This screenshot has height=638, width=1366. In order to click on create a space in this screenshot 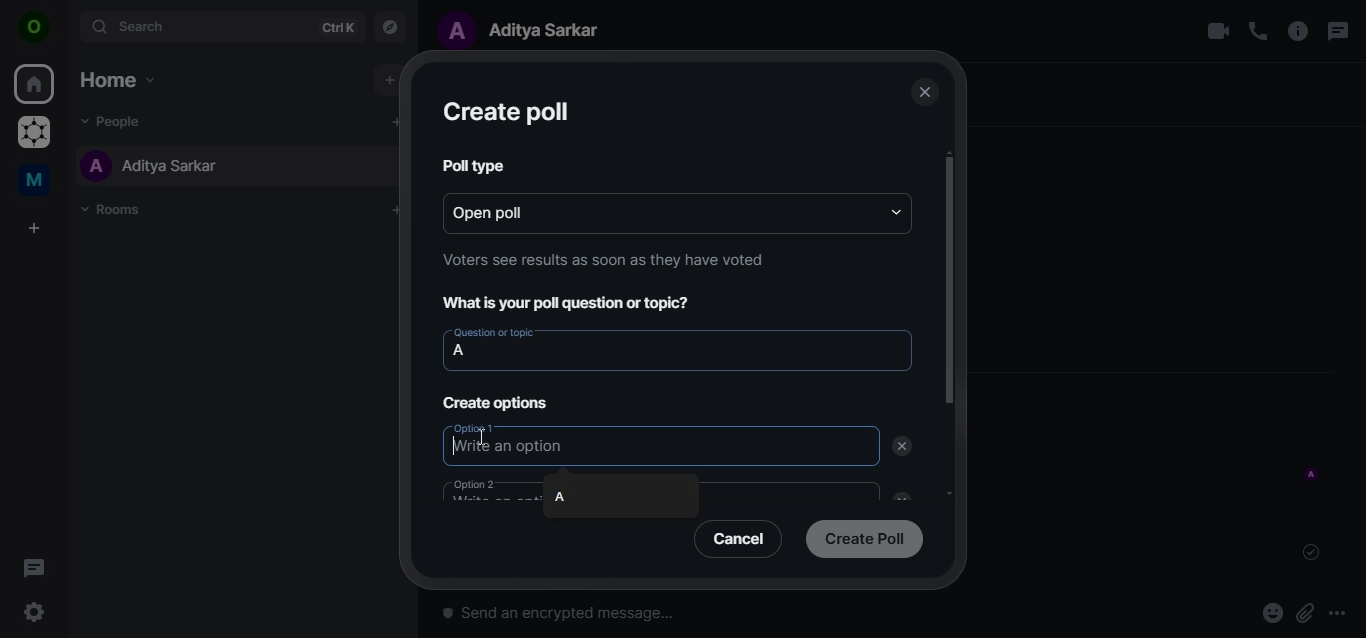, I will do `click(37, 229)`.